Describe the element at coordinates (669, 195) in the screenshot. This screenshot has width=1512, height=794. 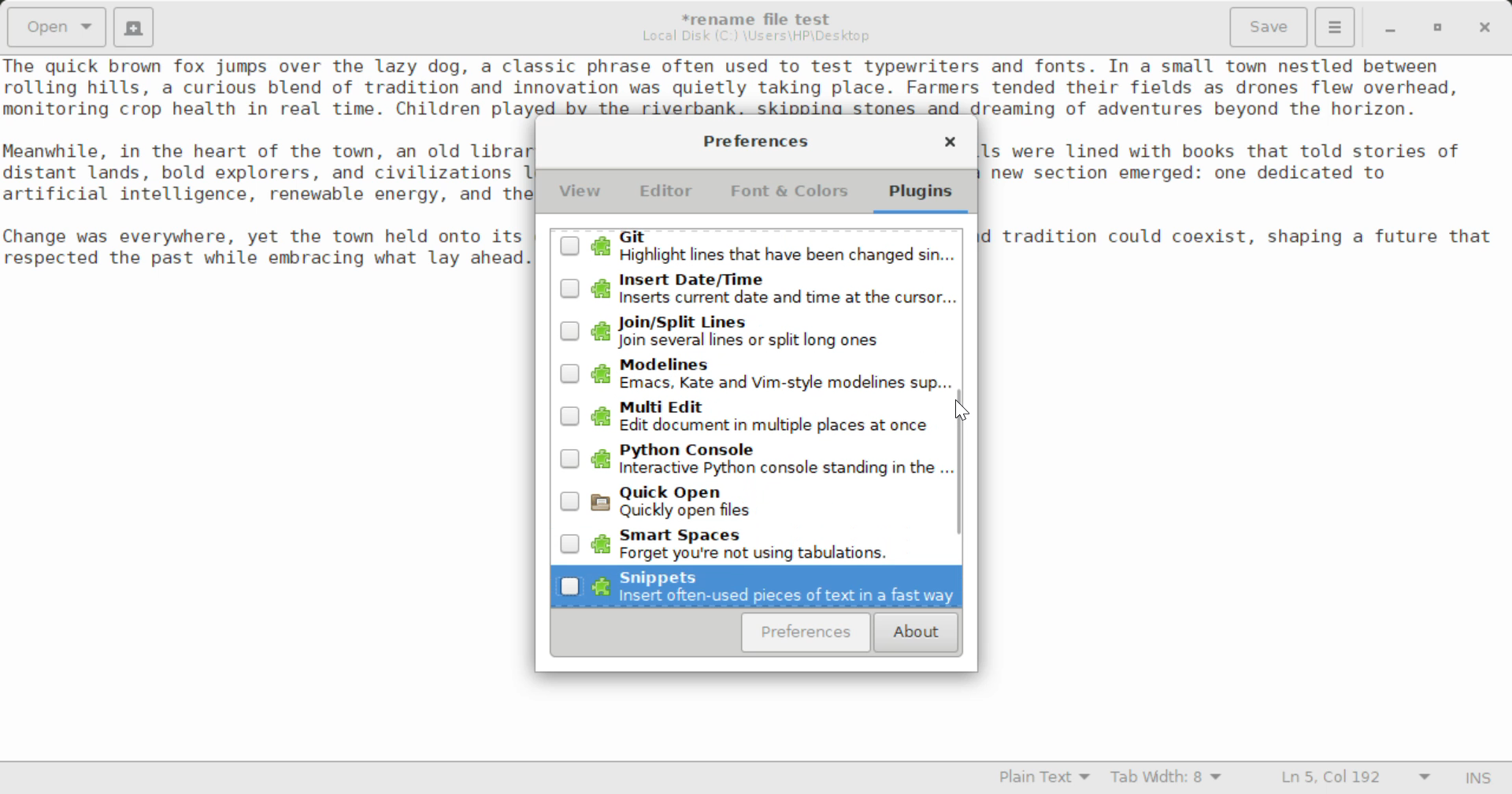
I see `Editor Tab` at that location.